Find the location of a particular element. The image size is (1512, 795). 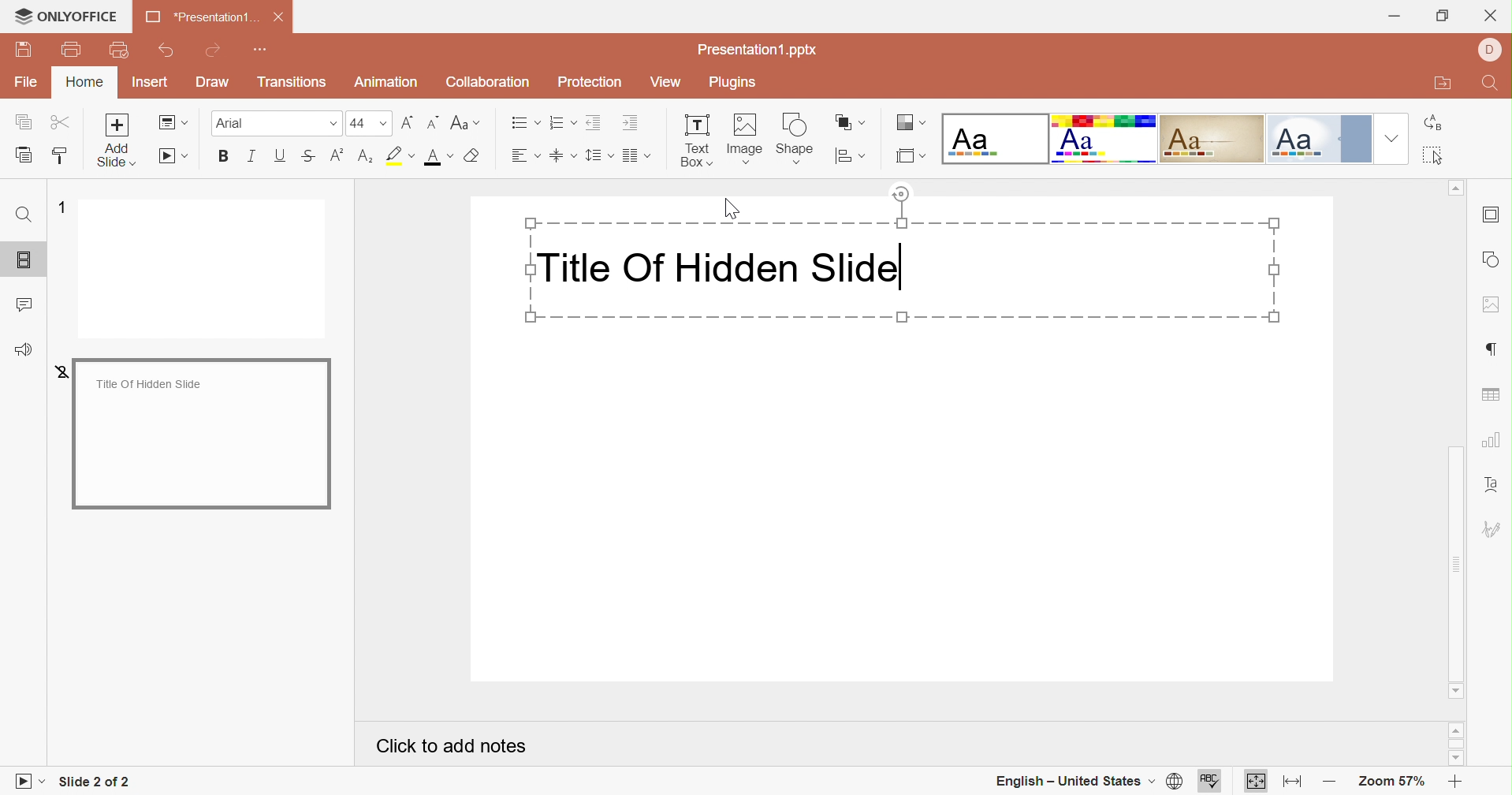

Plugins is located at coordinates (733, 83).